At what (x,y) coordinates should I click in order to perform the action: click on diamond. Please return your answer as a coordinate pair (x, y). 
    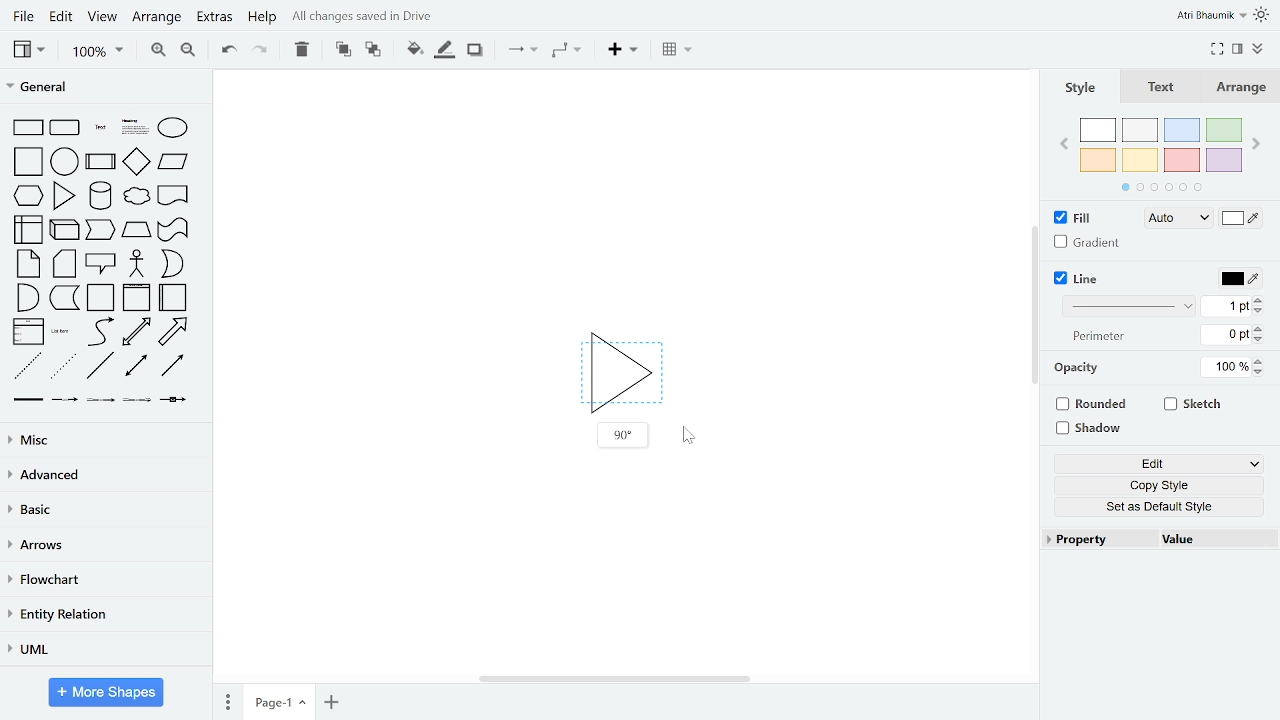
    Looking at the image, I should click on (136, 162).